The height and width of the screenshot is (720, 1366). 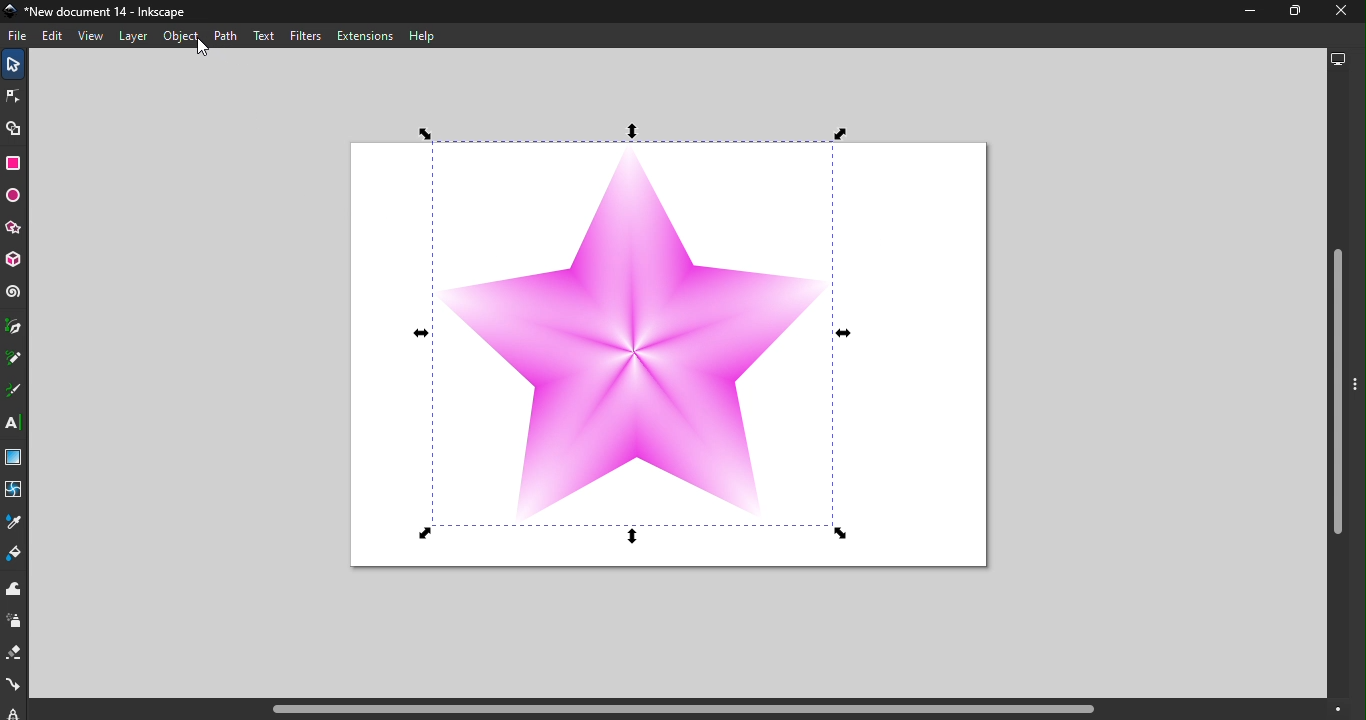 I want to click on Text, so click(x=263, y=35).